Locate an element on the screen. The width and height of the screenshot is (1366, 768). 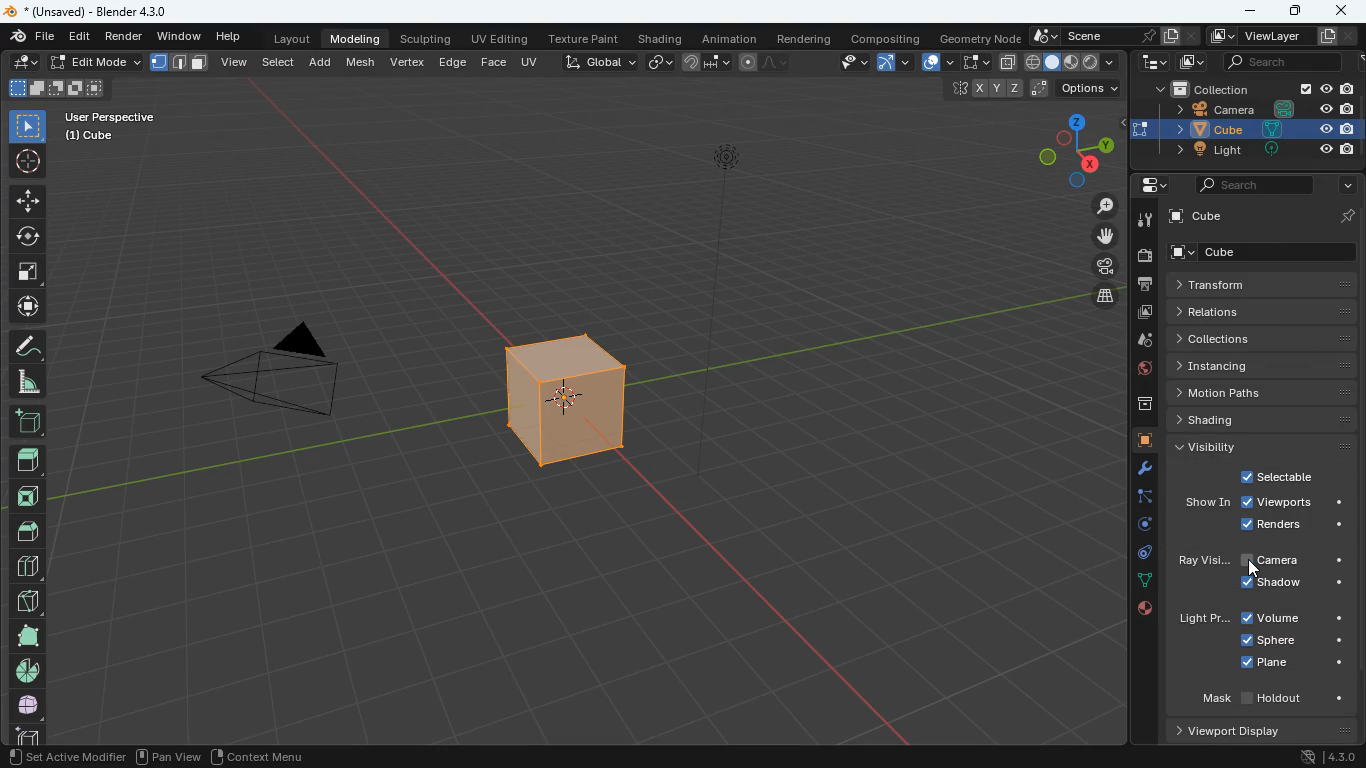
cube is located at coordinates (1257, 128).